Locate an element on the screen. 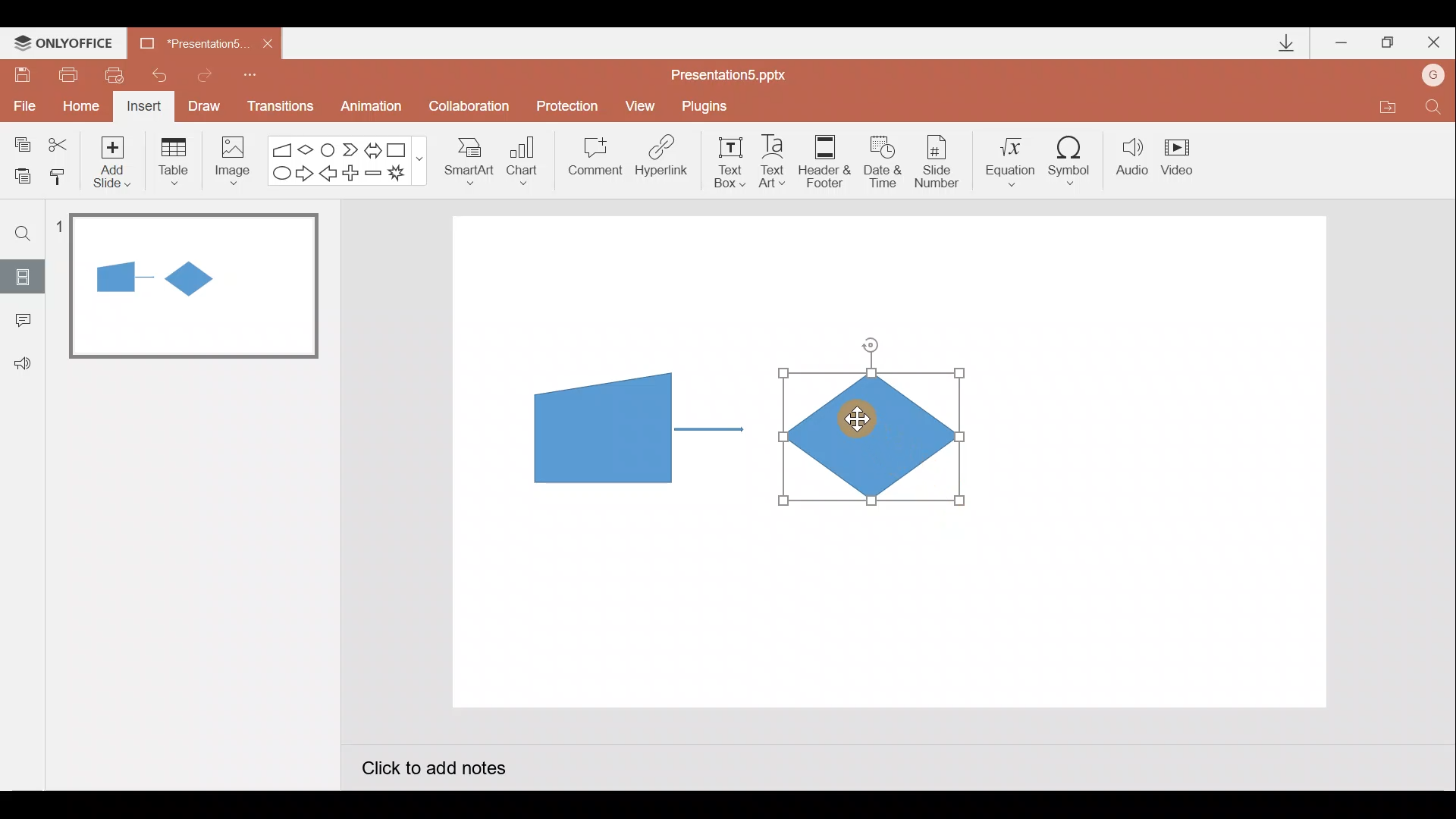 This screenshot has height=819, width=1456. View is located at coordinates (642, 105).